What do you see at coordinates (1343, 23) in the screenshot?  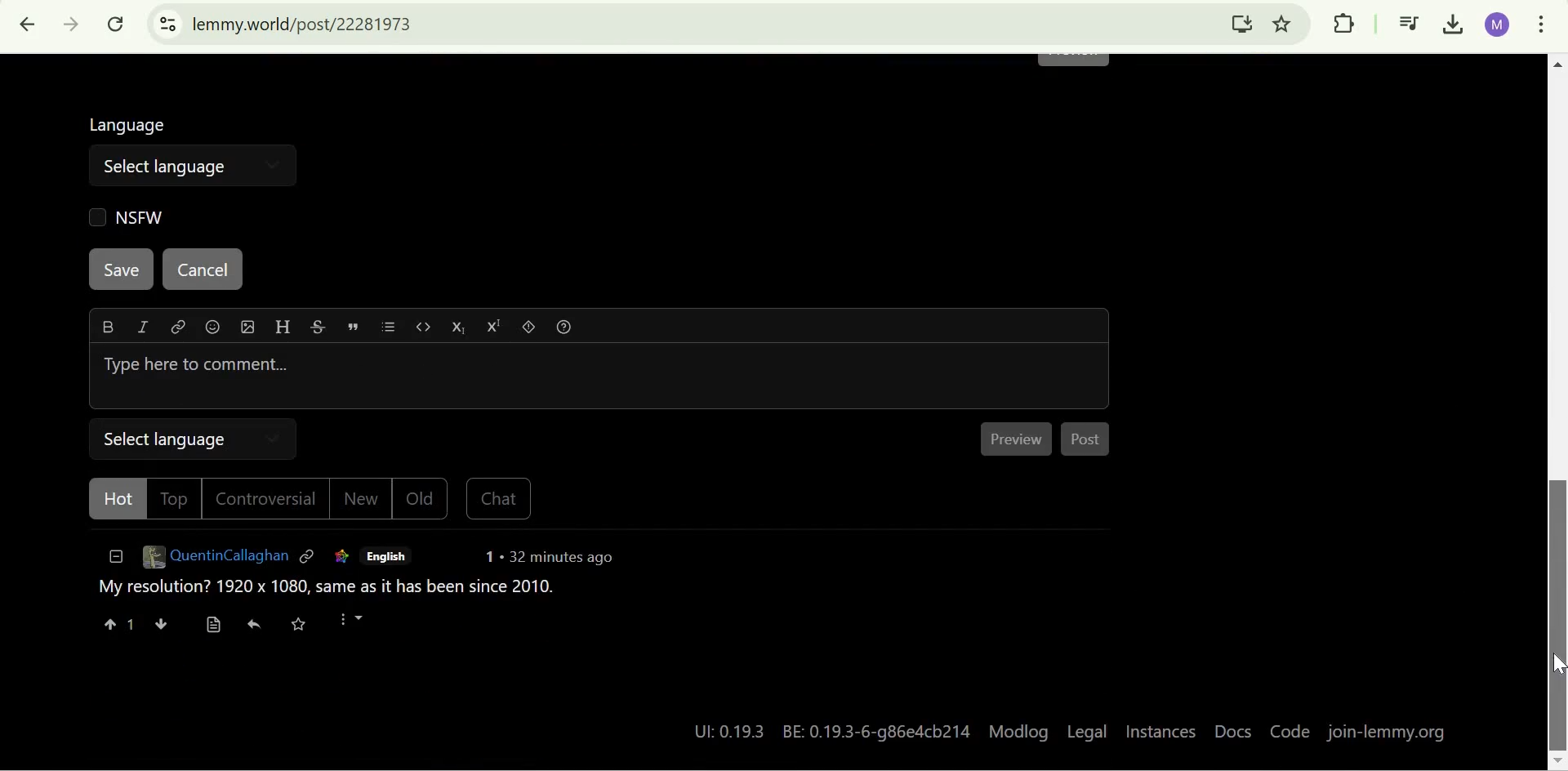 I see `Extensions` at bounding box center [1343, 23].